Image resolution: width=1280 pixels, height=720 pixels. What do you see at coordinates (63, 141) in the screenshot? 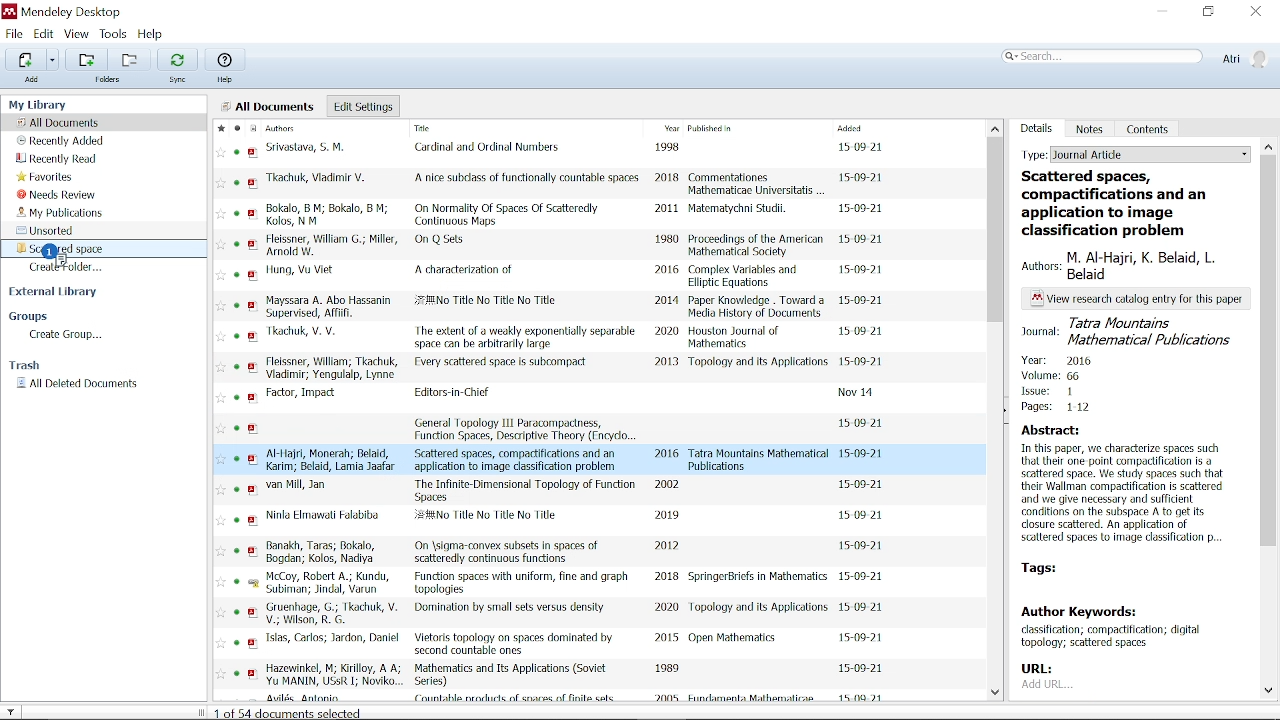
I see `Recently added` at bounding box center [63, 141].